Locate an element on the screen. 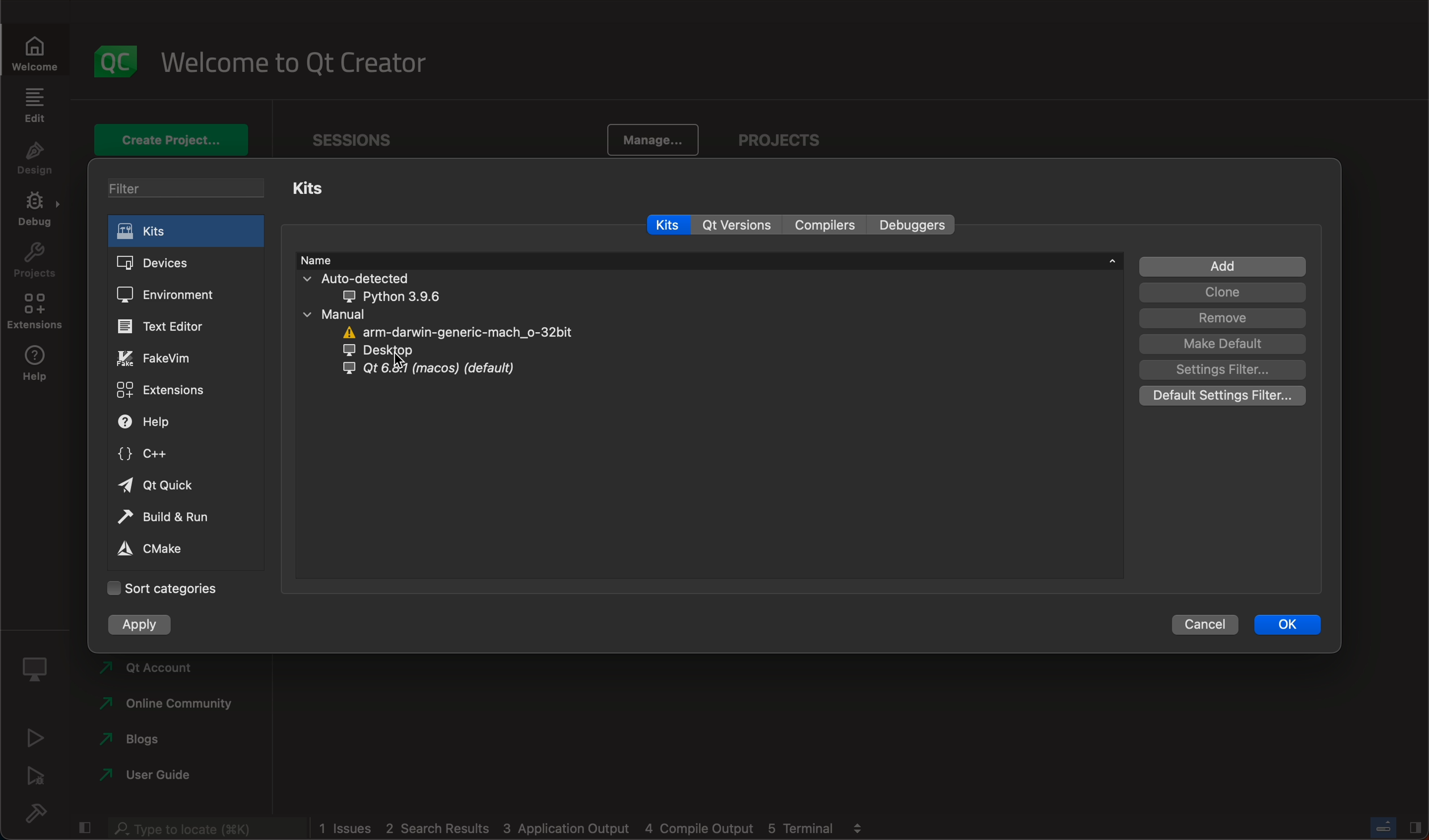 This screenshot has height=840, width=1429. projects is located at coordinates (33, 265).